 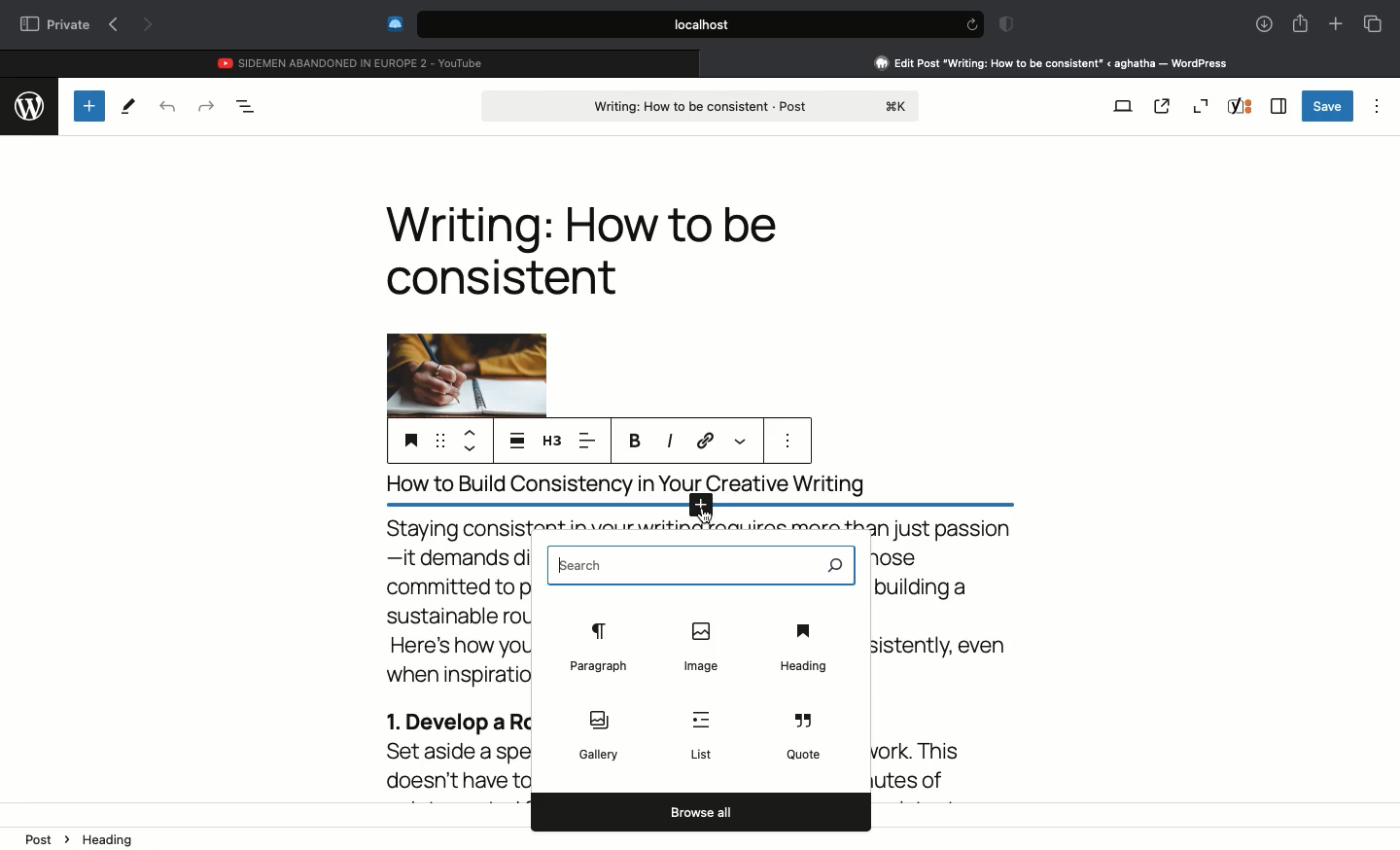 What do you see at coordinates (707, 442) in the screenshot?
I see `Link` at bounding box center [707, 442].